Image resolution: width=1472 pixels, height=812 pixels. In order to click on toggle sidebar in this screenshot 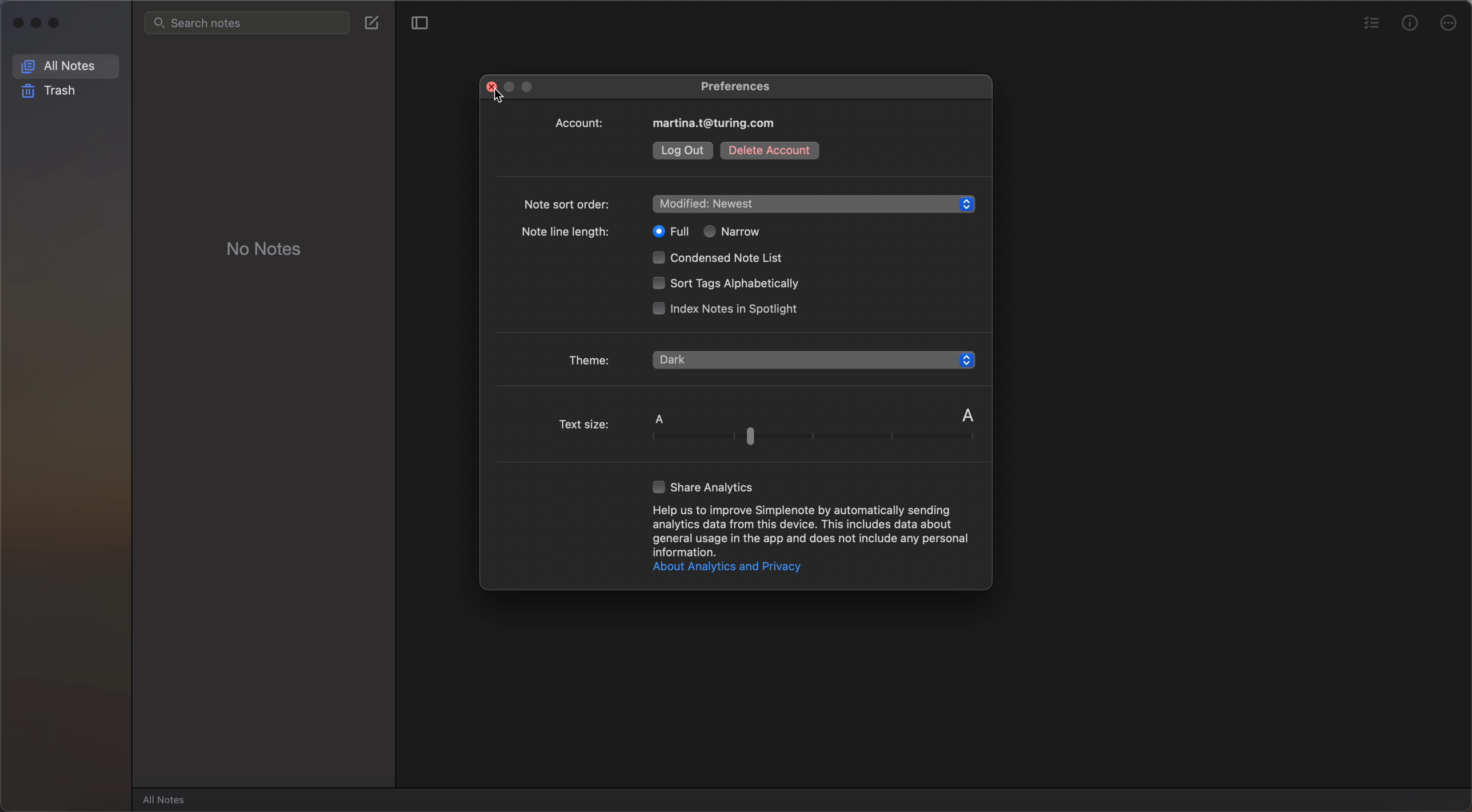, I will do `click(418, 23)`.